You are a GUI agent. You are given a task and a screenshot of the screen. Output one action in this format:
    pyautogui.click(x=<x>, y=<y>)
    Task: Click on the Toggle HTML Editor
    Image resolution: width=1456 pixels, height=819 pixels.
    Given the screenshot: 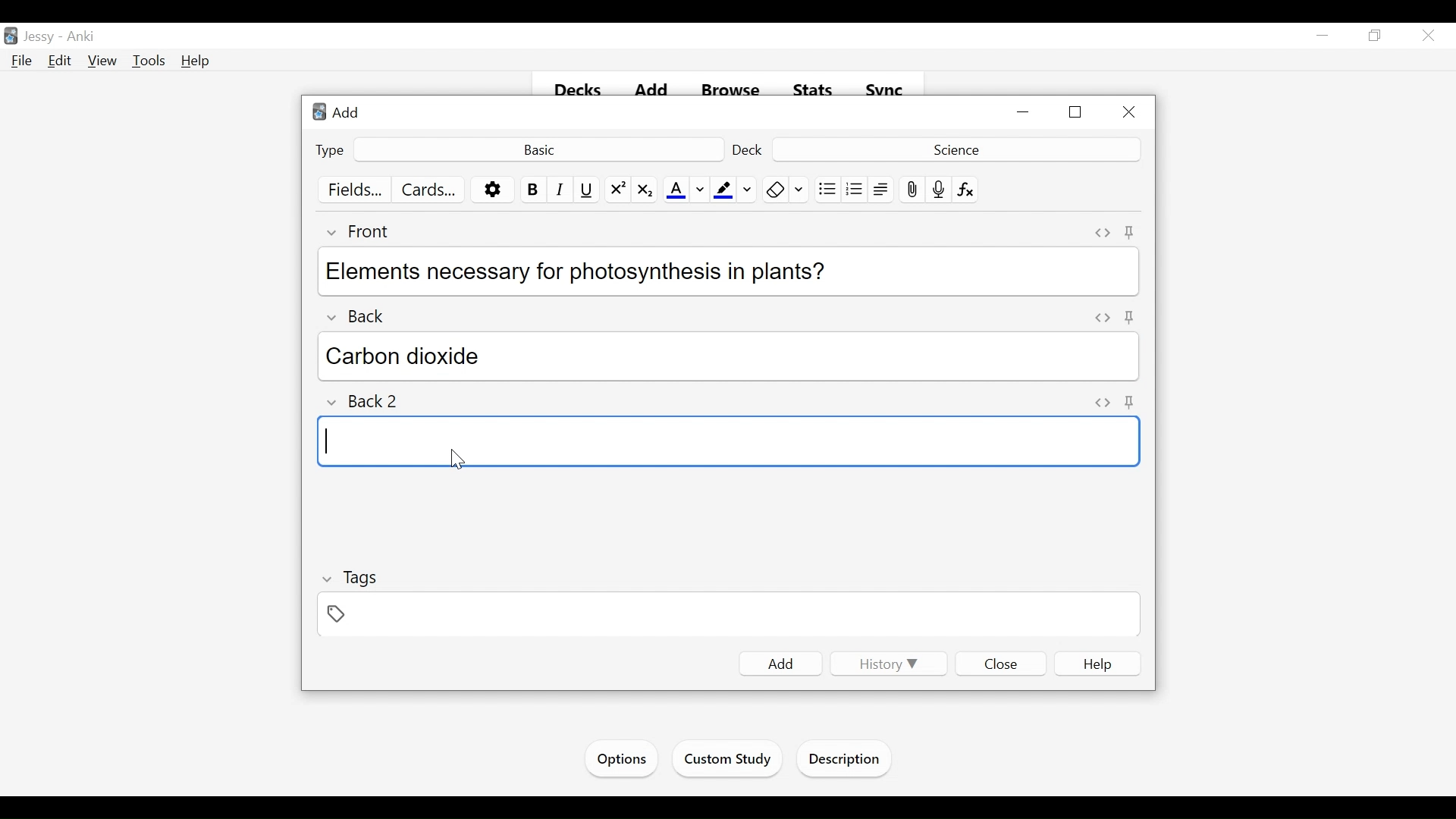 What is the action you would take?
    pyautogui.click(x=1103, y=401)
    